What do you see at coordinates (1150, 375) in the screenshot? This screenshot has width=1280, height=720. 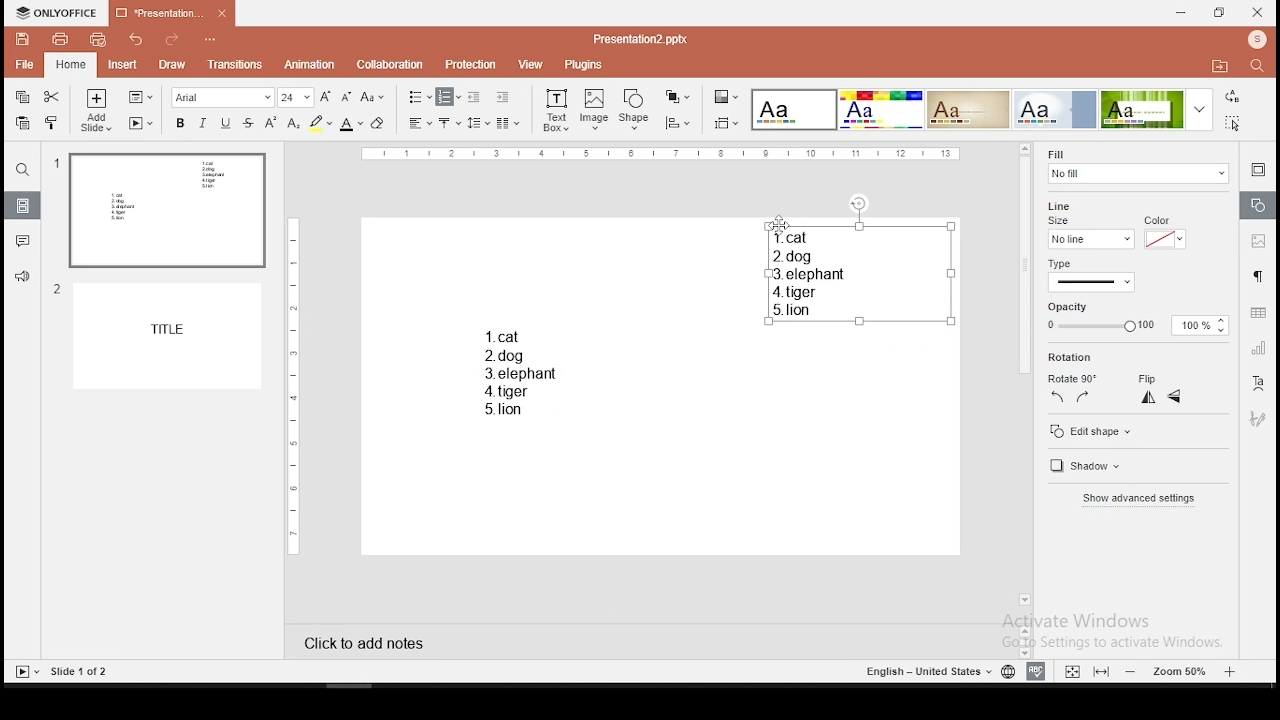 I see `flip` at bounding box center [1150, 375].